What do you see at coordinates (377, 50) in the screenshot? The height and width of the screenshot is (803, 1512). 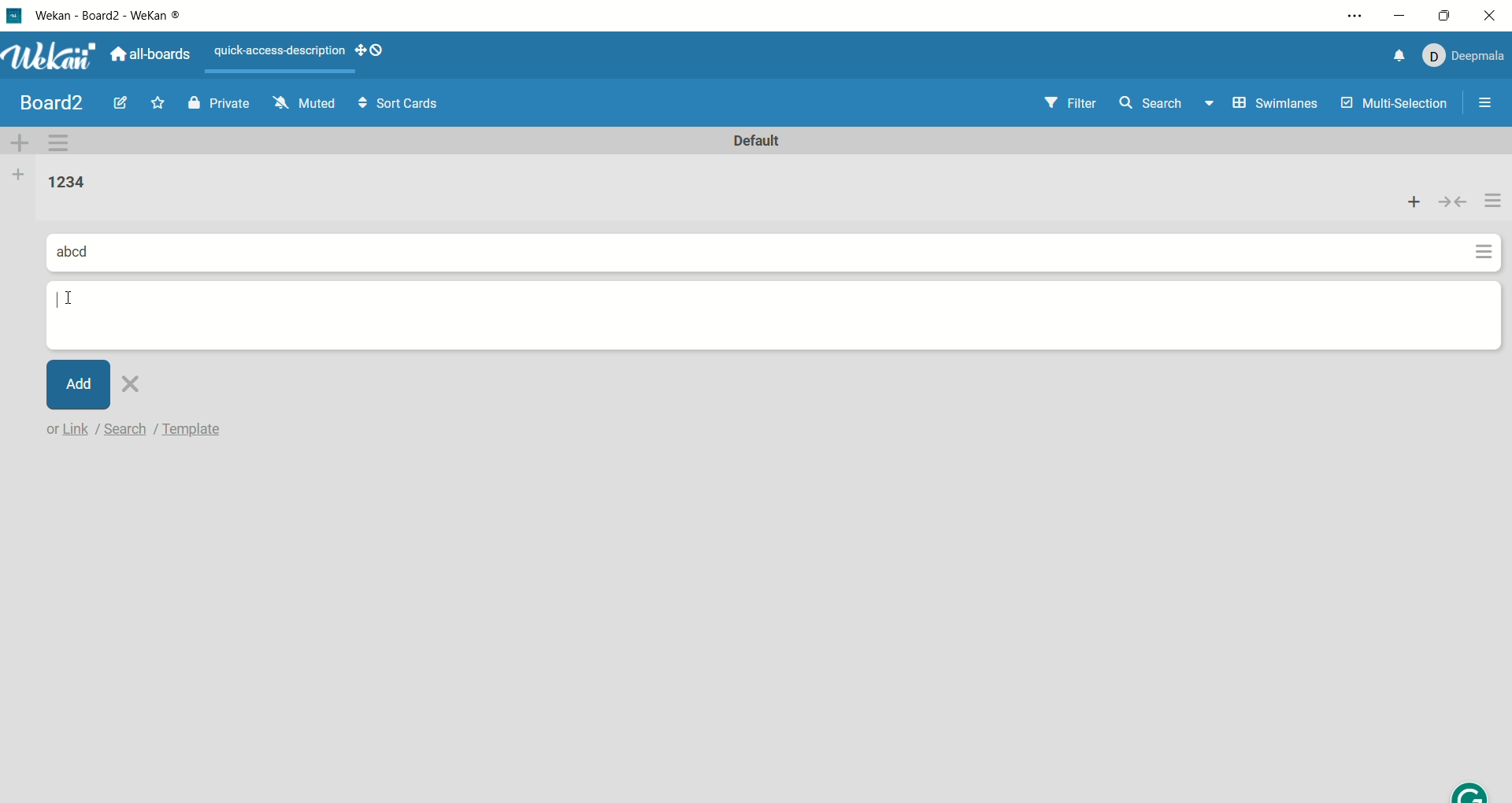 I see `show-desktop-drag-handles` at bounding box center [377, 50].